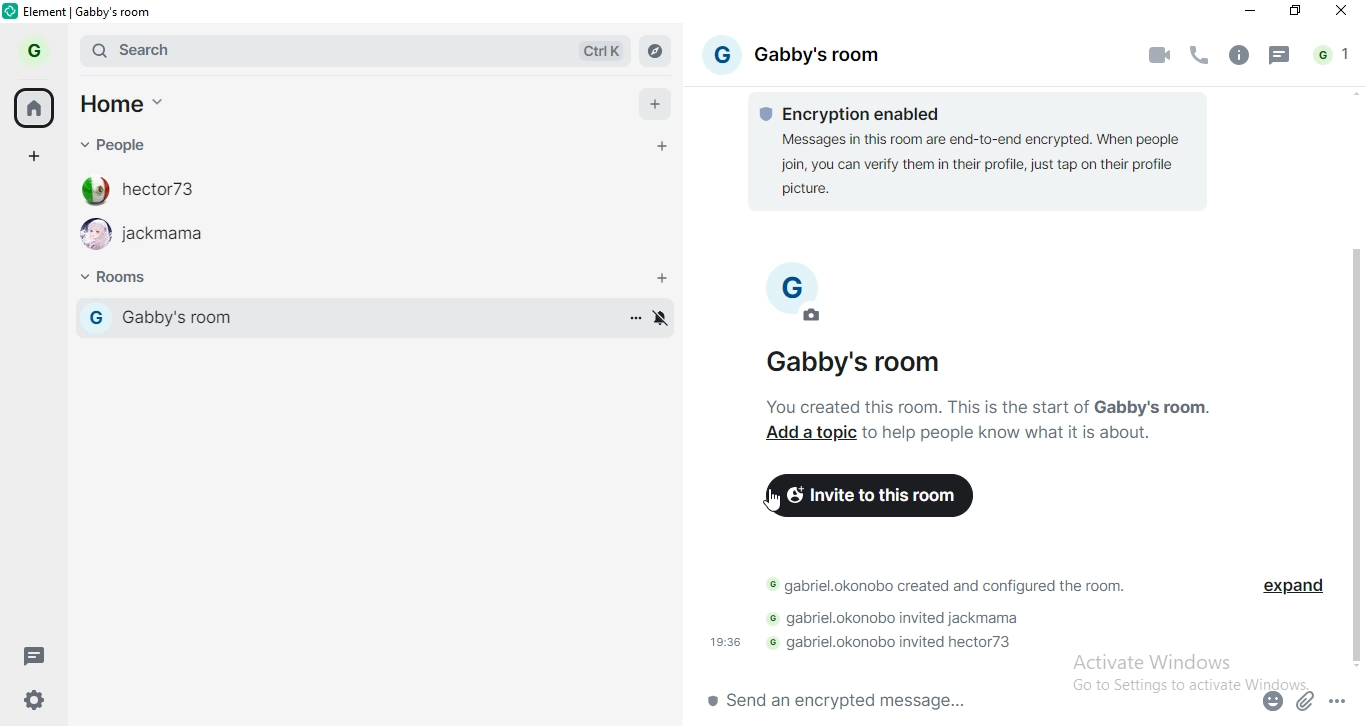 This screenshot has width=1366, height=726. I want to click on hecor73, so click(170, 192).